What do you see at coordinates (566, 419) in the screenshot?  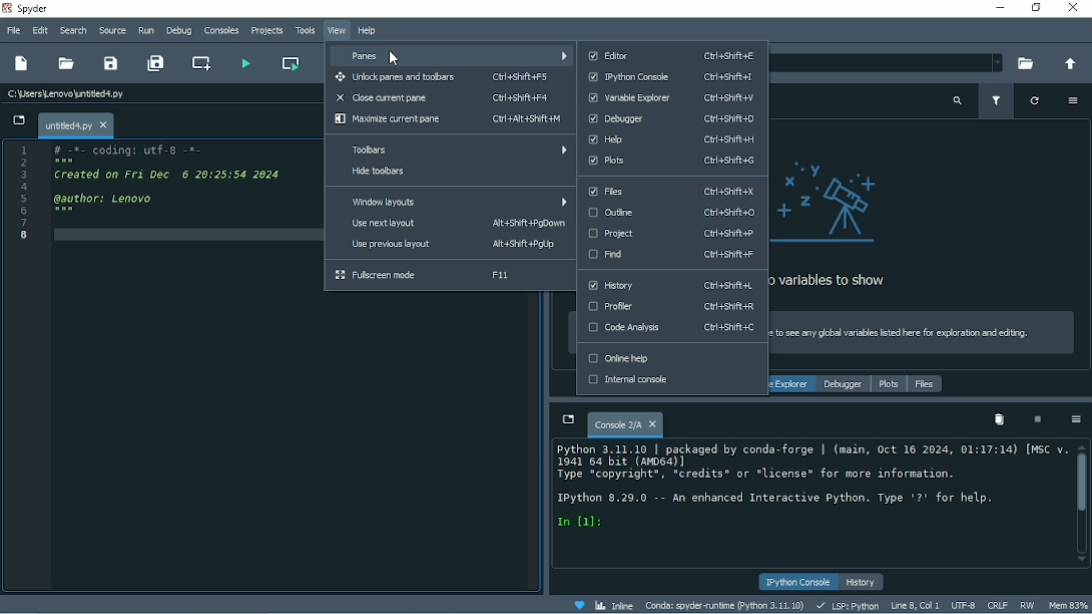 I see `Browse tabs` at bounding box center [566, 419].